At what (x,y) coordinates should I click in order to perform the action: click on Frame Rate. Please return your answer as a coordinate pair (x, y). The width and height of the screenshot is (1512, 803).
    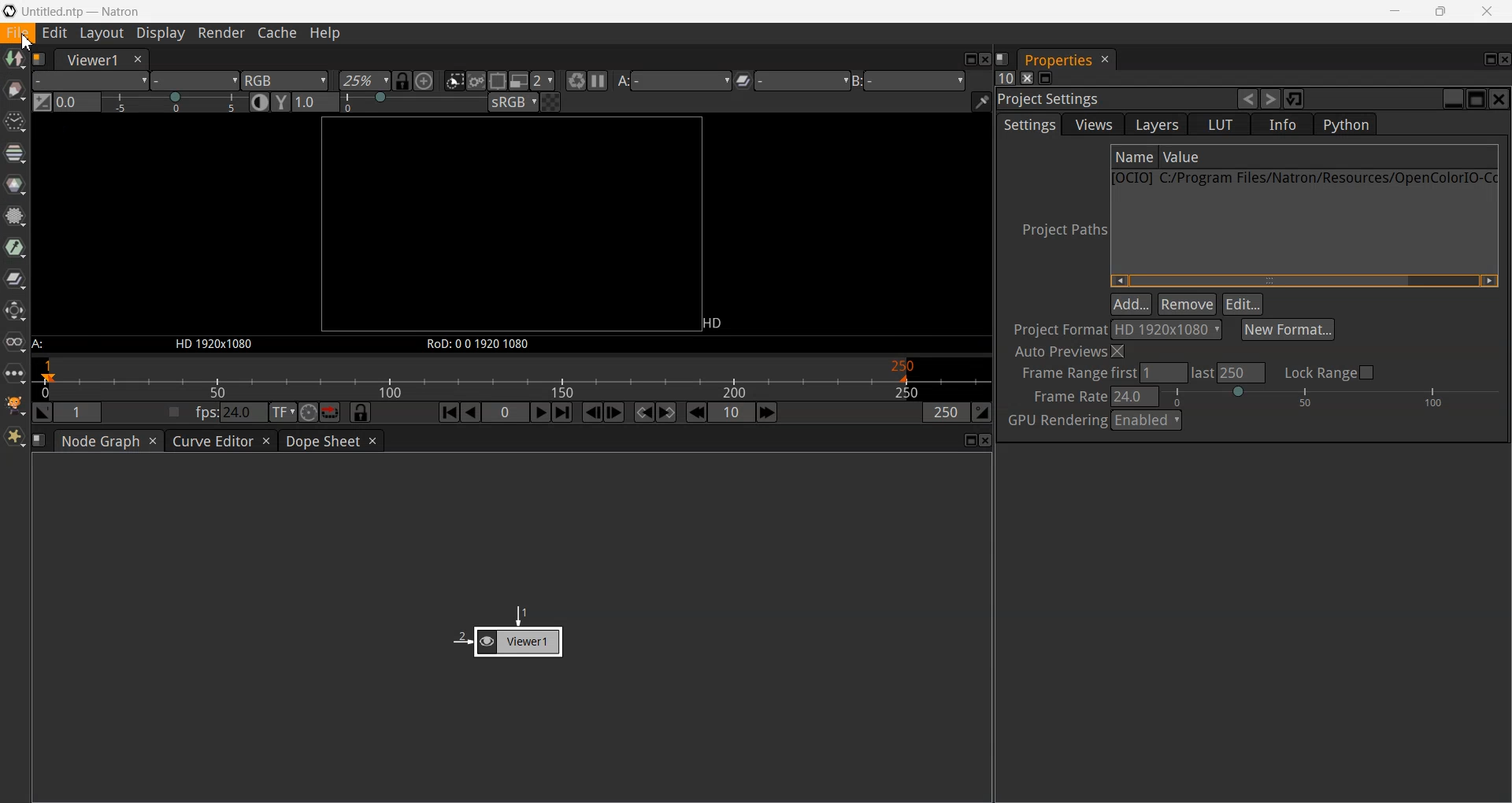
    Looking at the image, I should click on (1066, 397).